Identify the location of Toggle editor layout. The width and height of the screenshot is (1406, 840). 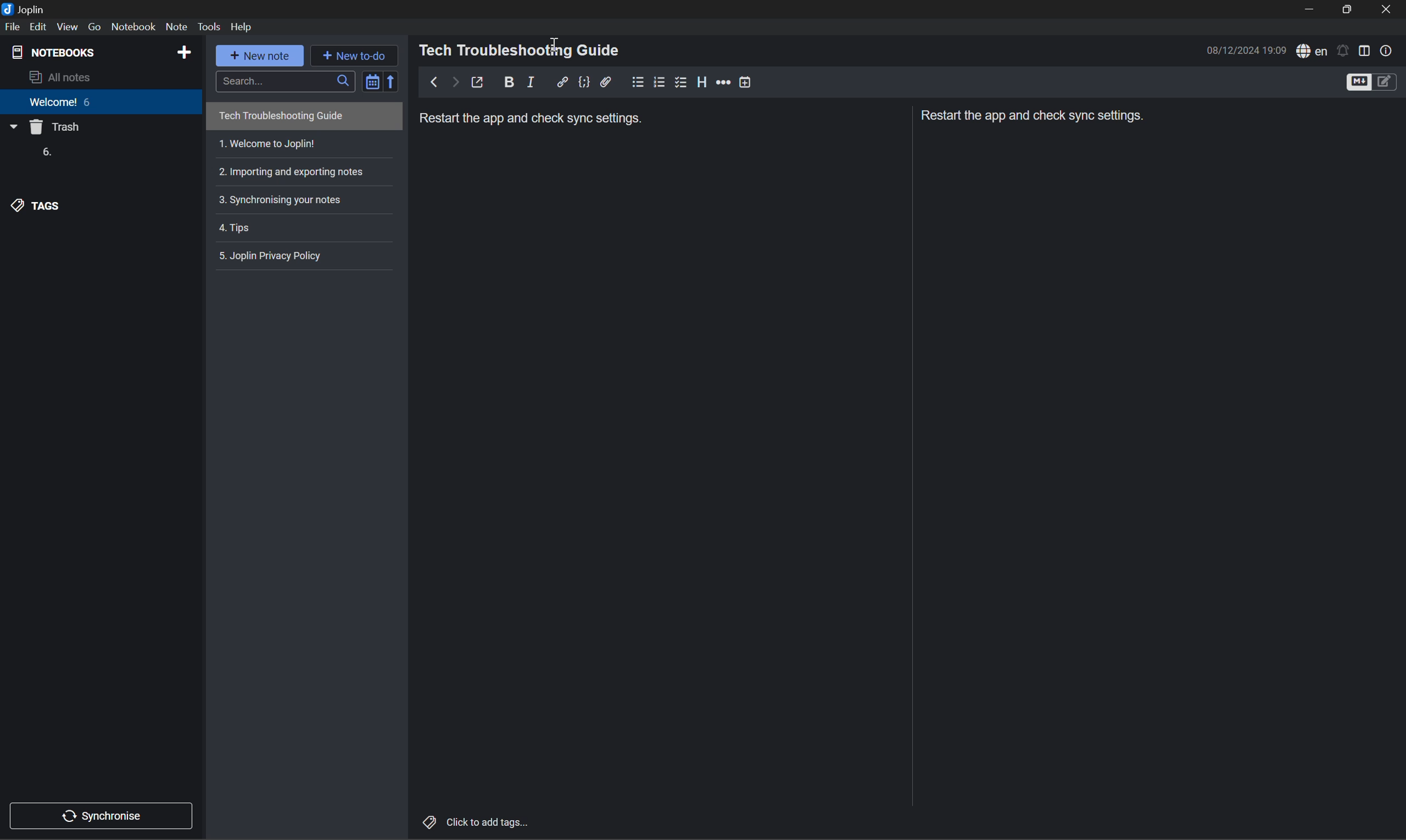
(1365, 49).